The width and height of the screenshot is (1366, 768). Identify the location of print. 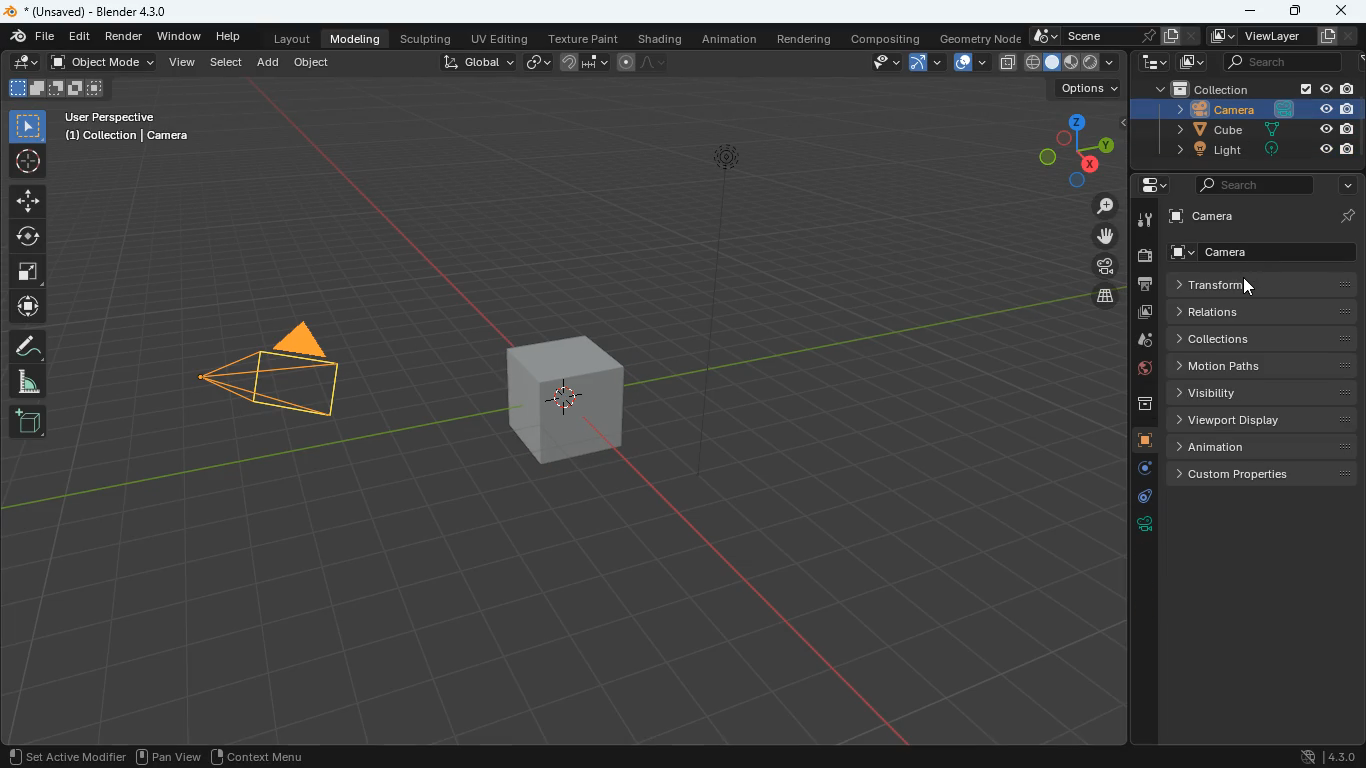
(1146, 286).